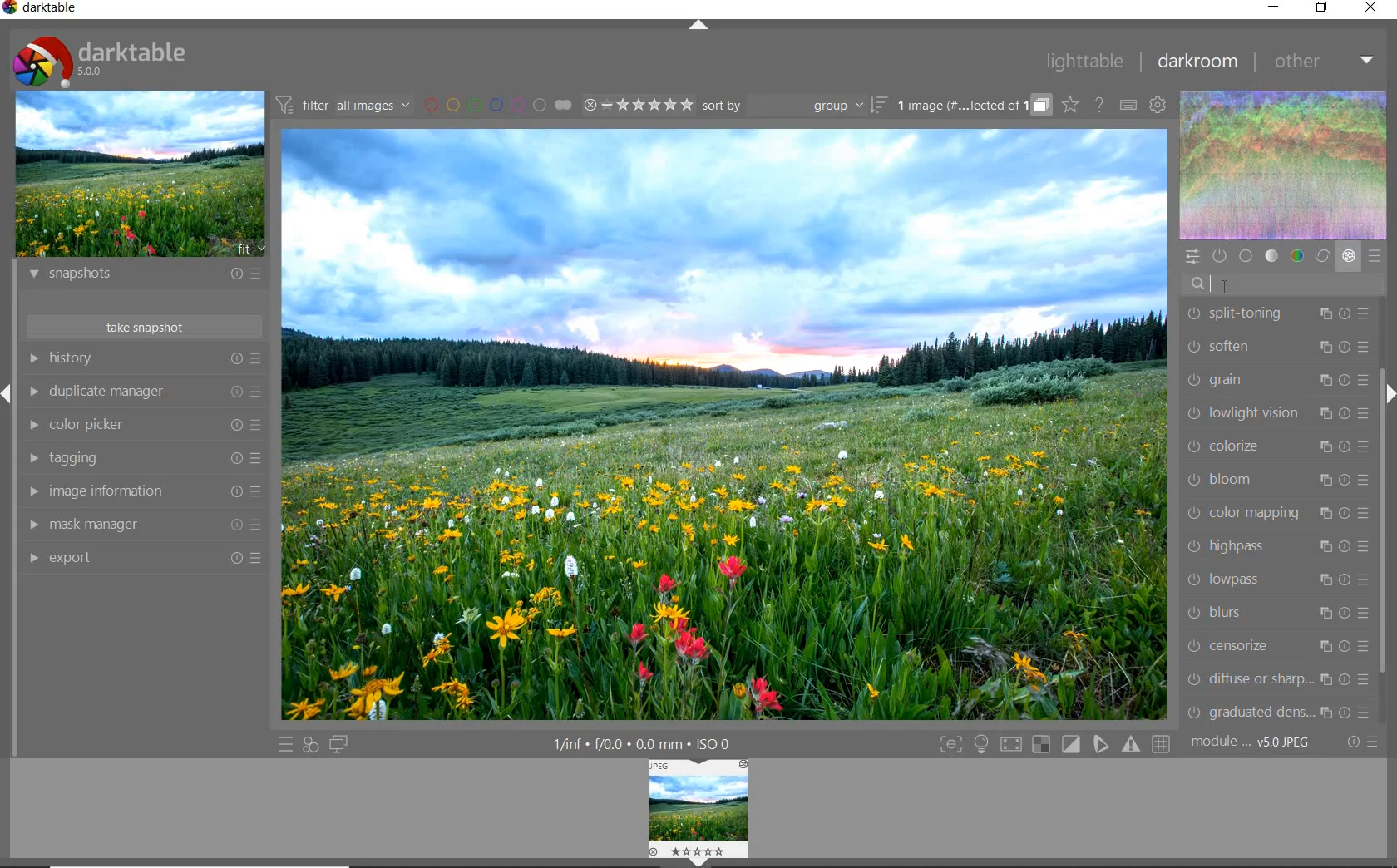 This screenshot has width=1397, height=868. Describe the element at coordinates (1084, 62) in the screenshot. I see `lighttable` at that location.